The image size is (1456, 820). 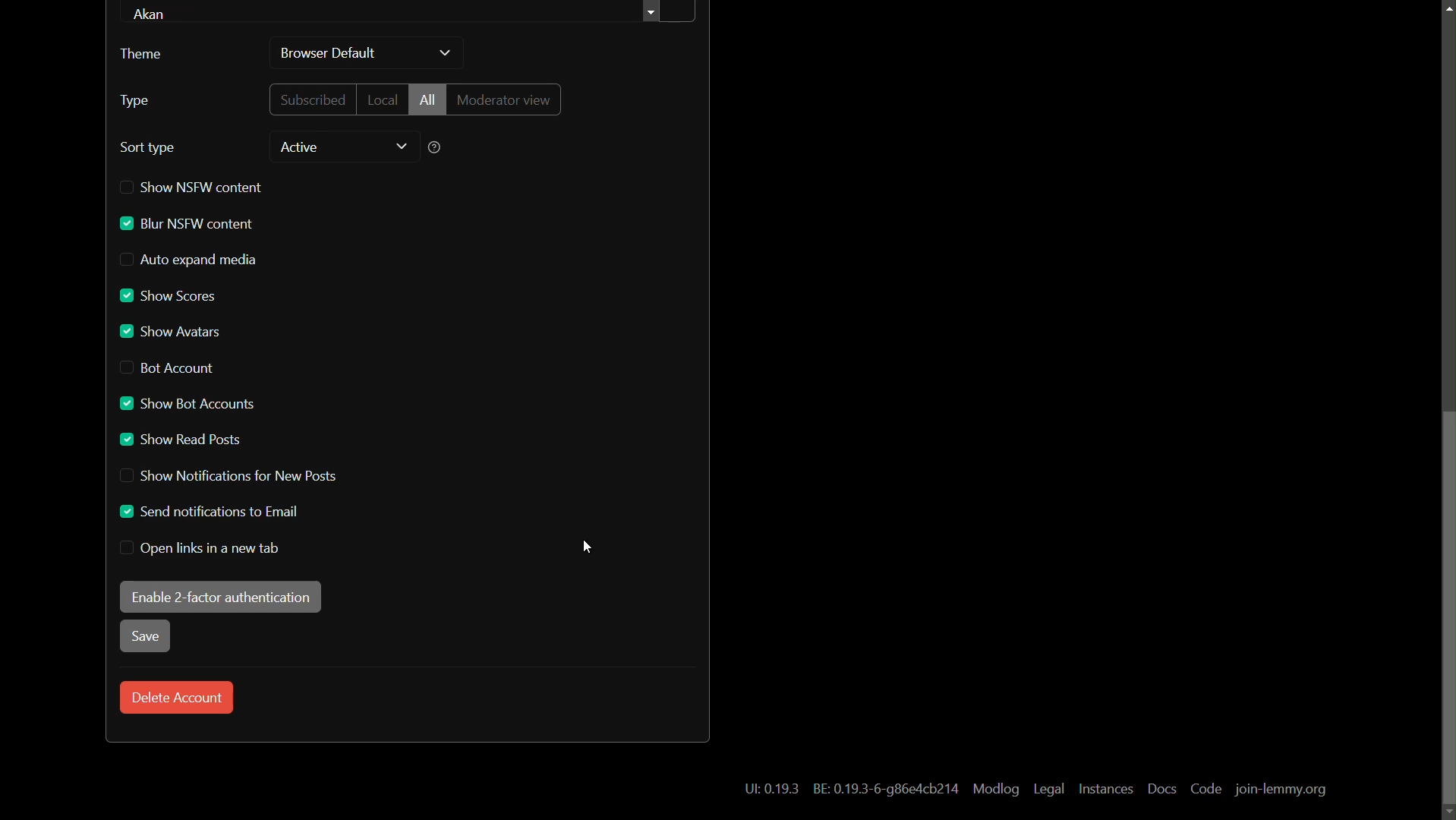 What do you see at coordinates (1207, 790) in the screenshot?
I see `code` at bounding box center [1207, 790].